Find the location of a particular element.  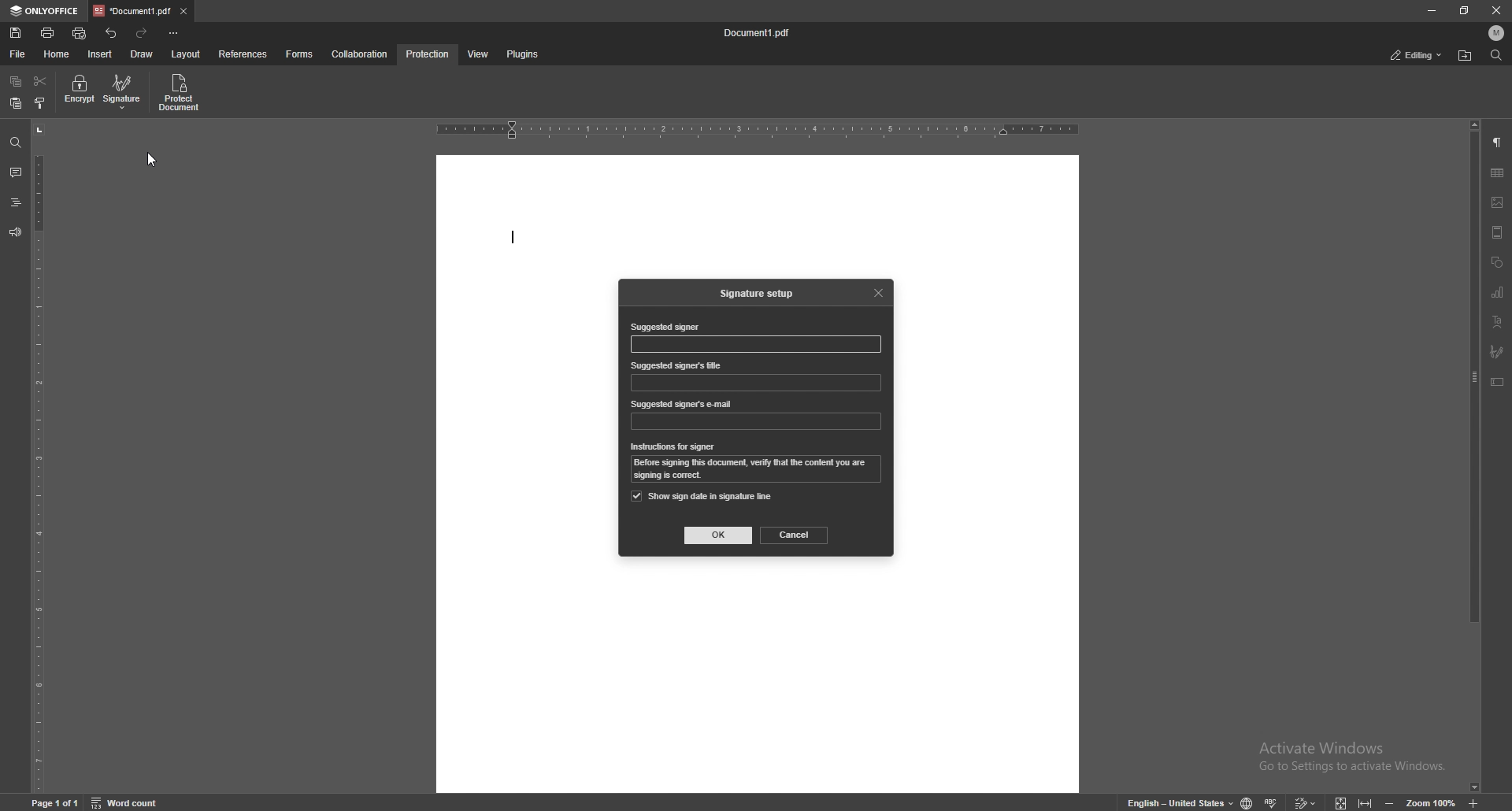

spell check is located at coordinates (1273, 799).